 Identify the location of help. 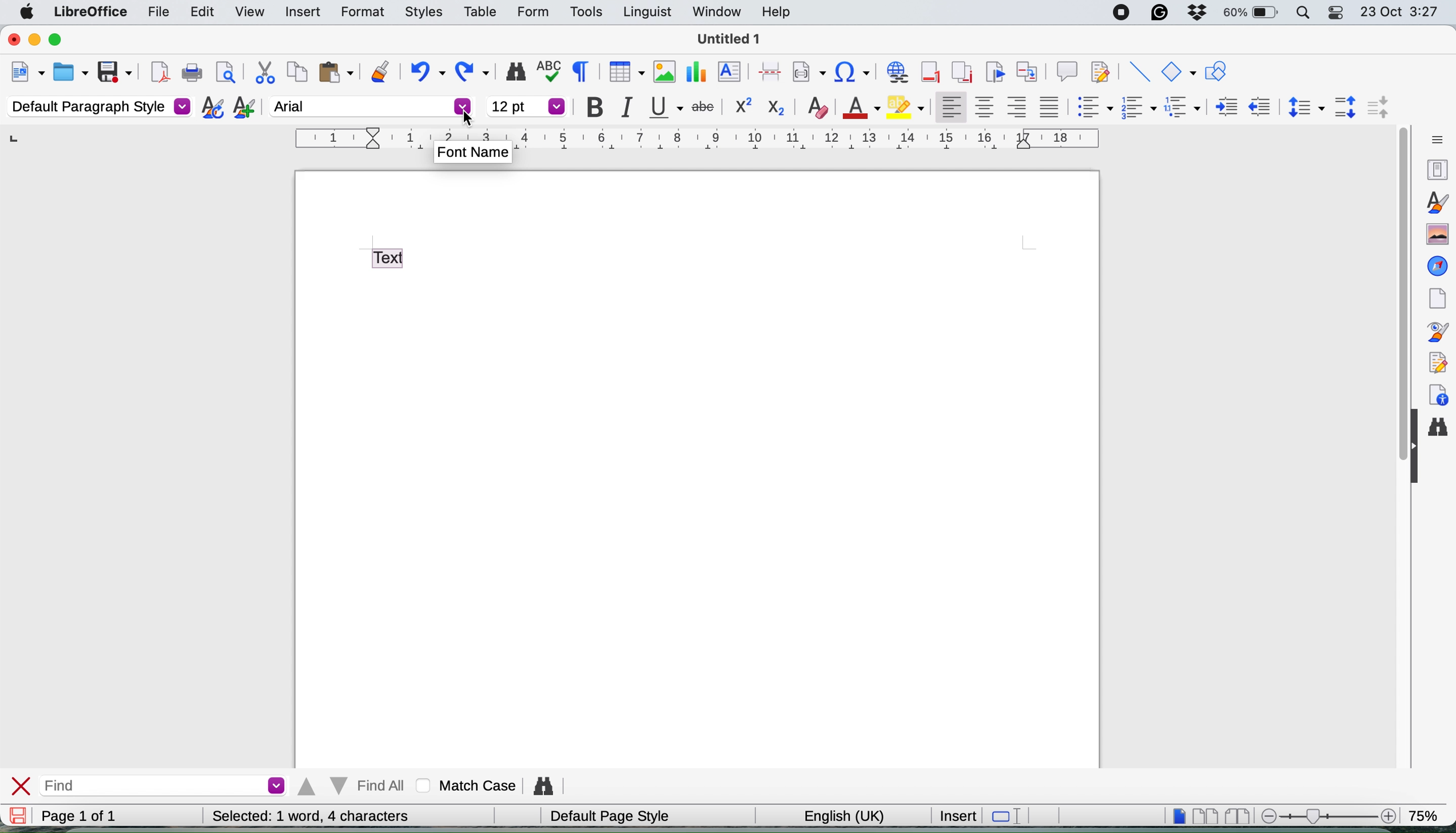
(776, 13).